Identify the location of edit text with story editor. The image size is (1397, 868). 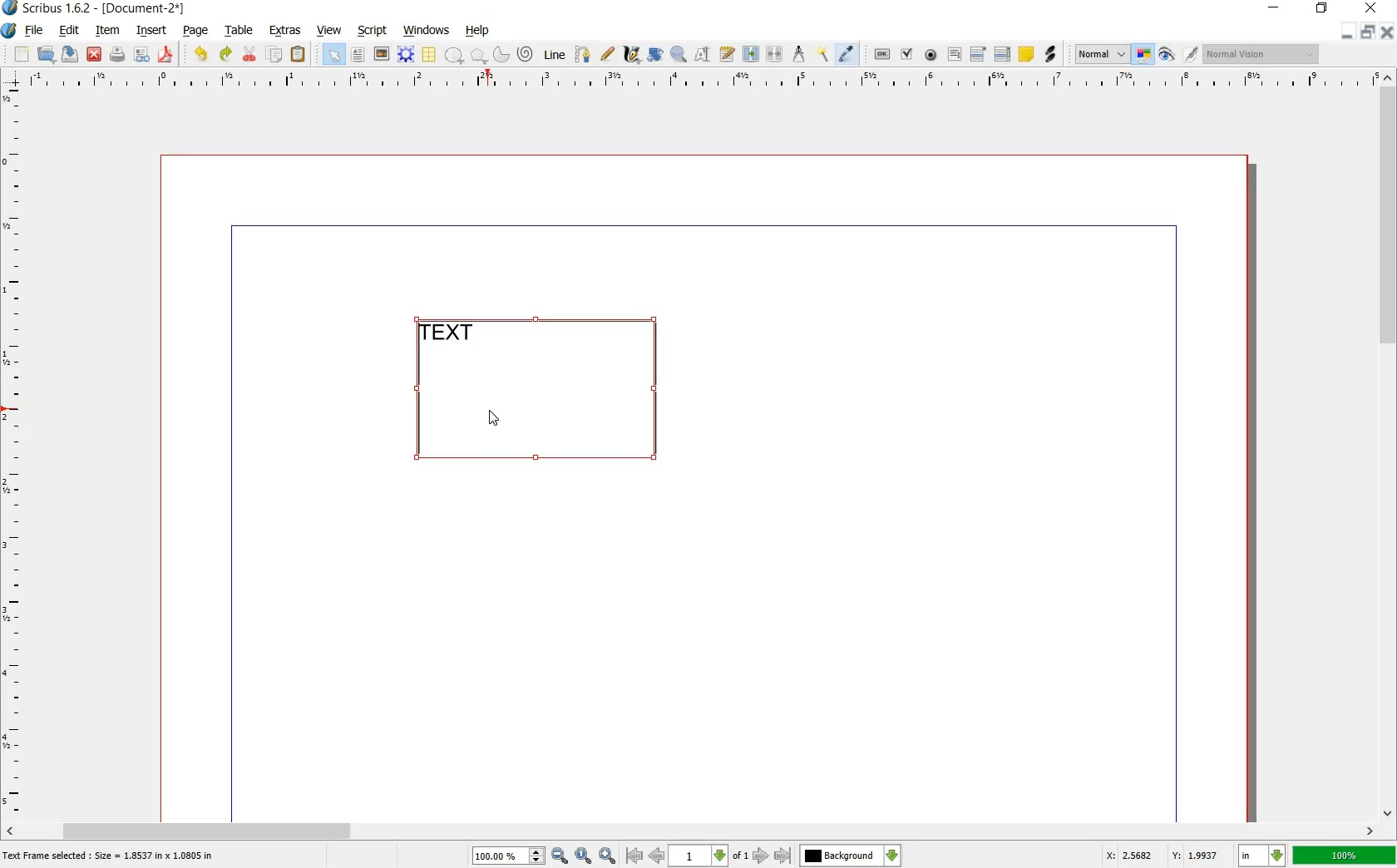
(726, 54).